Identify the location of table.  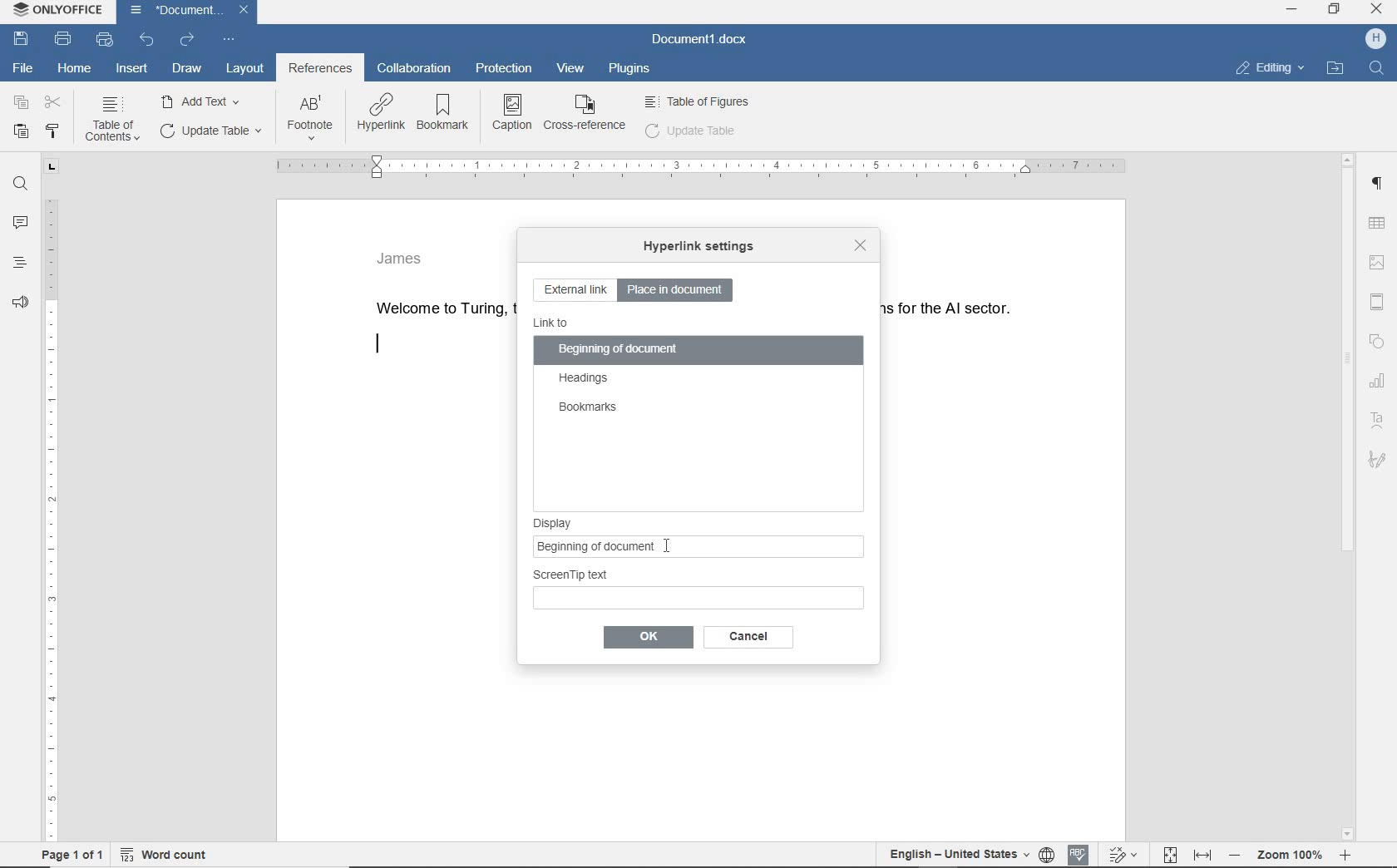
(1380, 222).